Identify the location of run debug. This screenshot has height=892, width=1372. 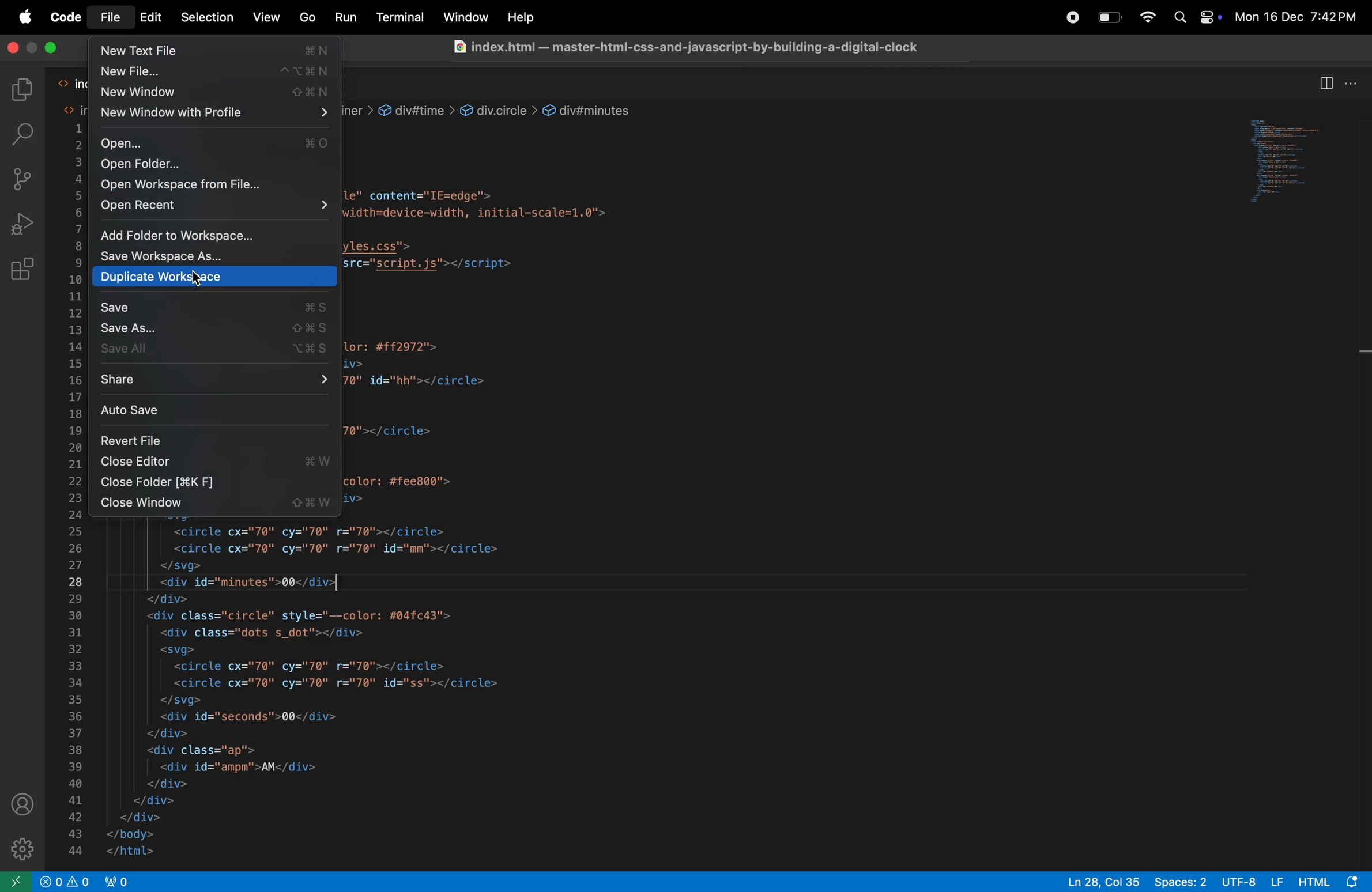
(23, 225).